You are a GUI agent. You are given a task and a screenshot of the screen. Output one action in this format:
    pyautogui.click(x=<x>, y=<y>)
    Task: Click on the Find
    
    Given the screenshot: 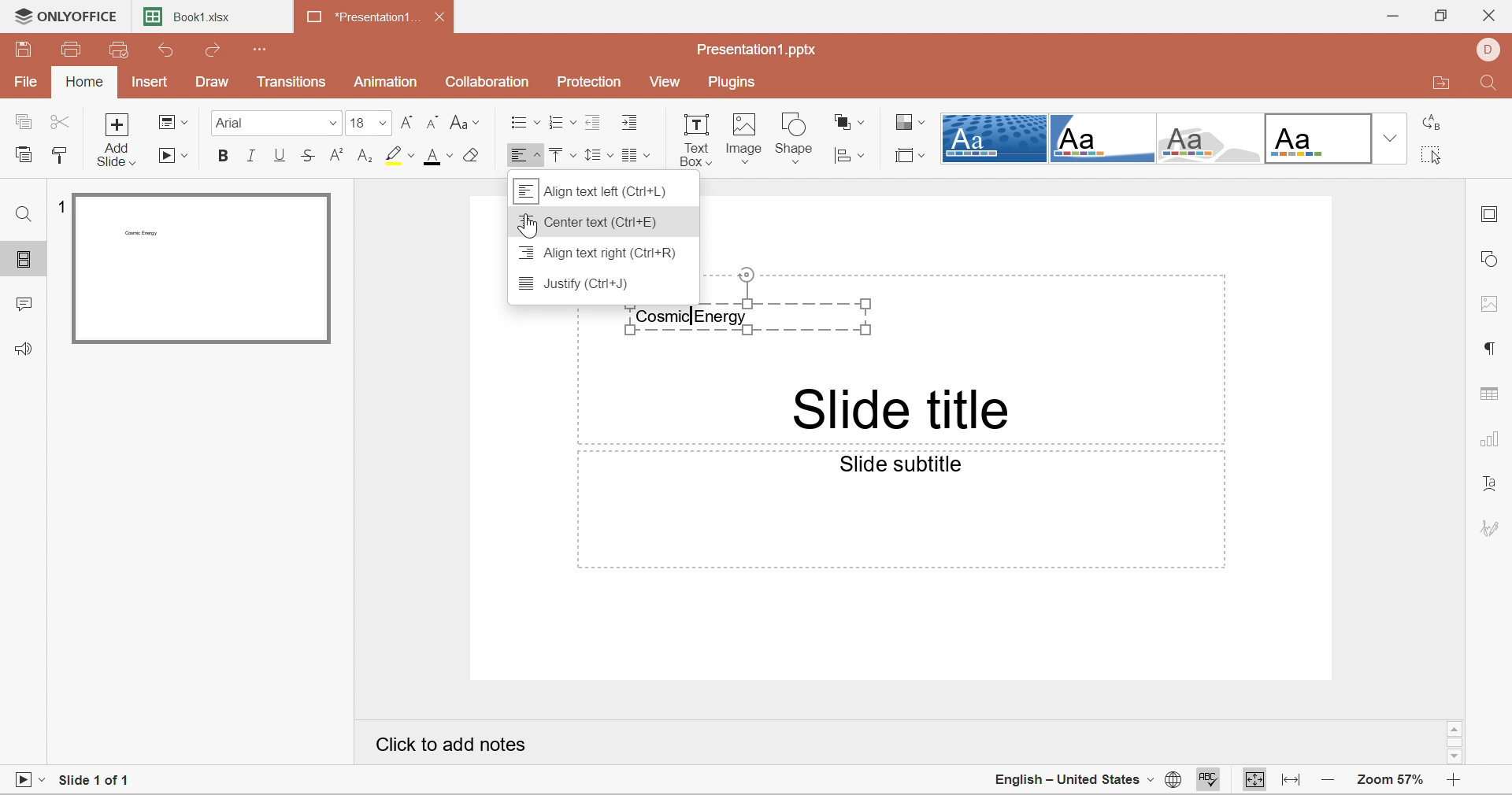 What is the action you would take?
    pyautogui.click(x=1489, y=87)
    